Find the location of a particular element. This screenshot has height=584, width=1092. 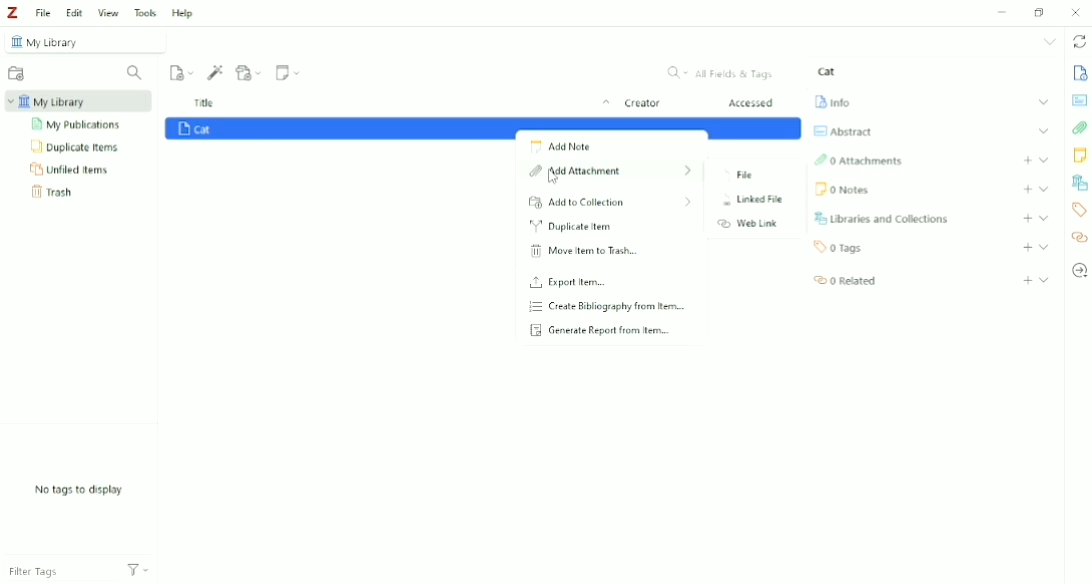

Duplicate Item is located at coordinates (573, 227).